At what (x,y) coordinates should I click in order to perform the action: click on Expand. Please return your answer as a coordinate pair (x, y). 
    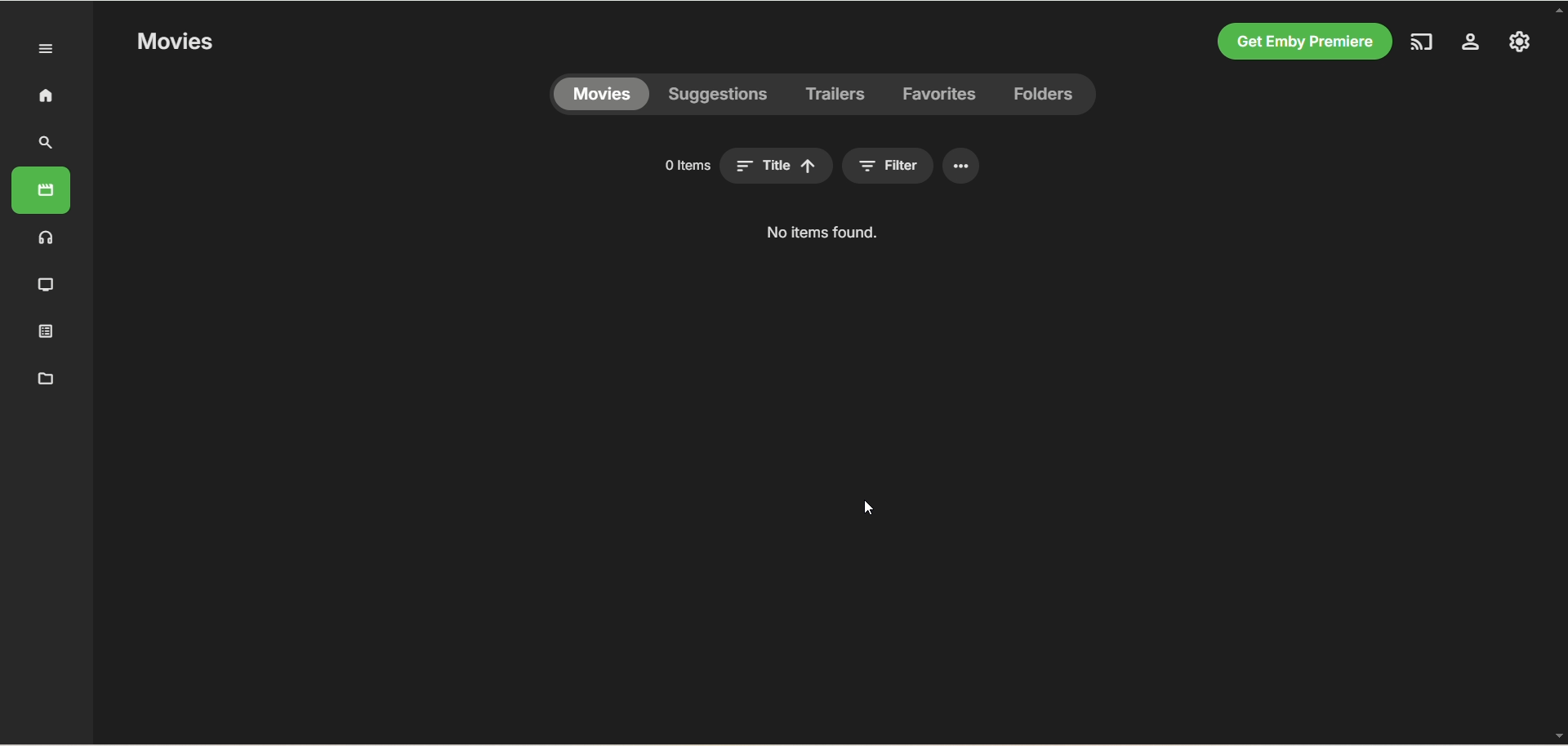
    Looking at the image, I should click on (47, 50).